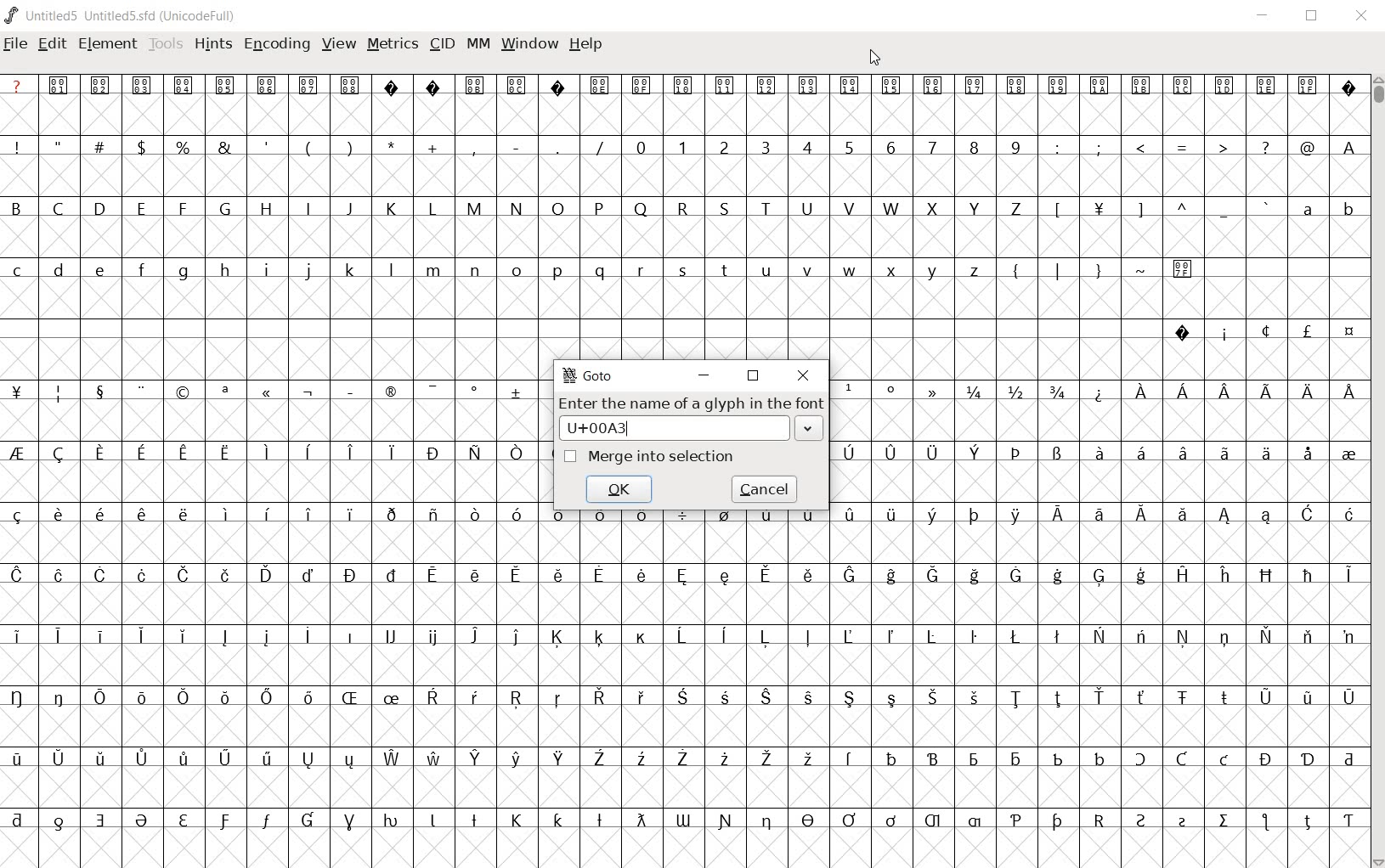 The image size is (1385, 868). I want to click on Symbol, so click(1141, 577).